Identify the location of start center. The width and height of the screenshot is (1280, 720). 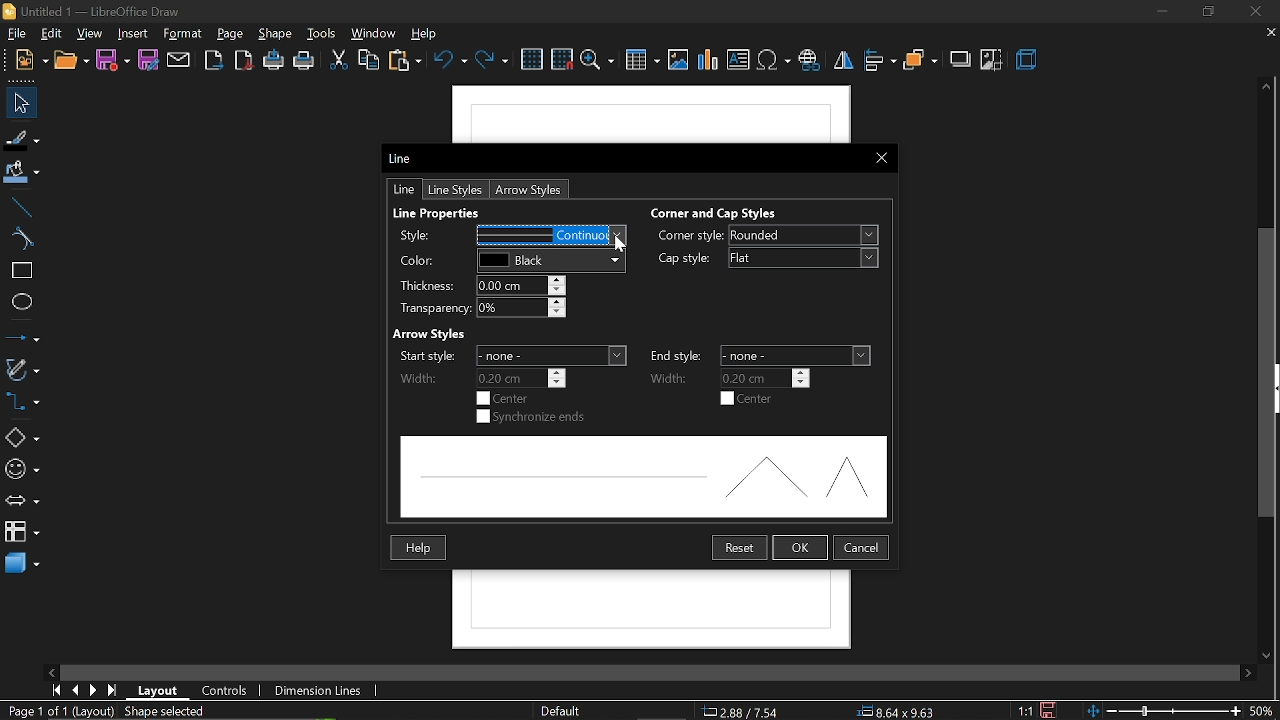
(503, 399).